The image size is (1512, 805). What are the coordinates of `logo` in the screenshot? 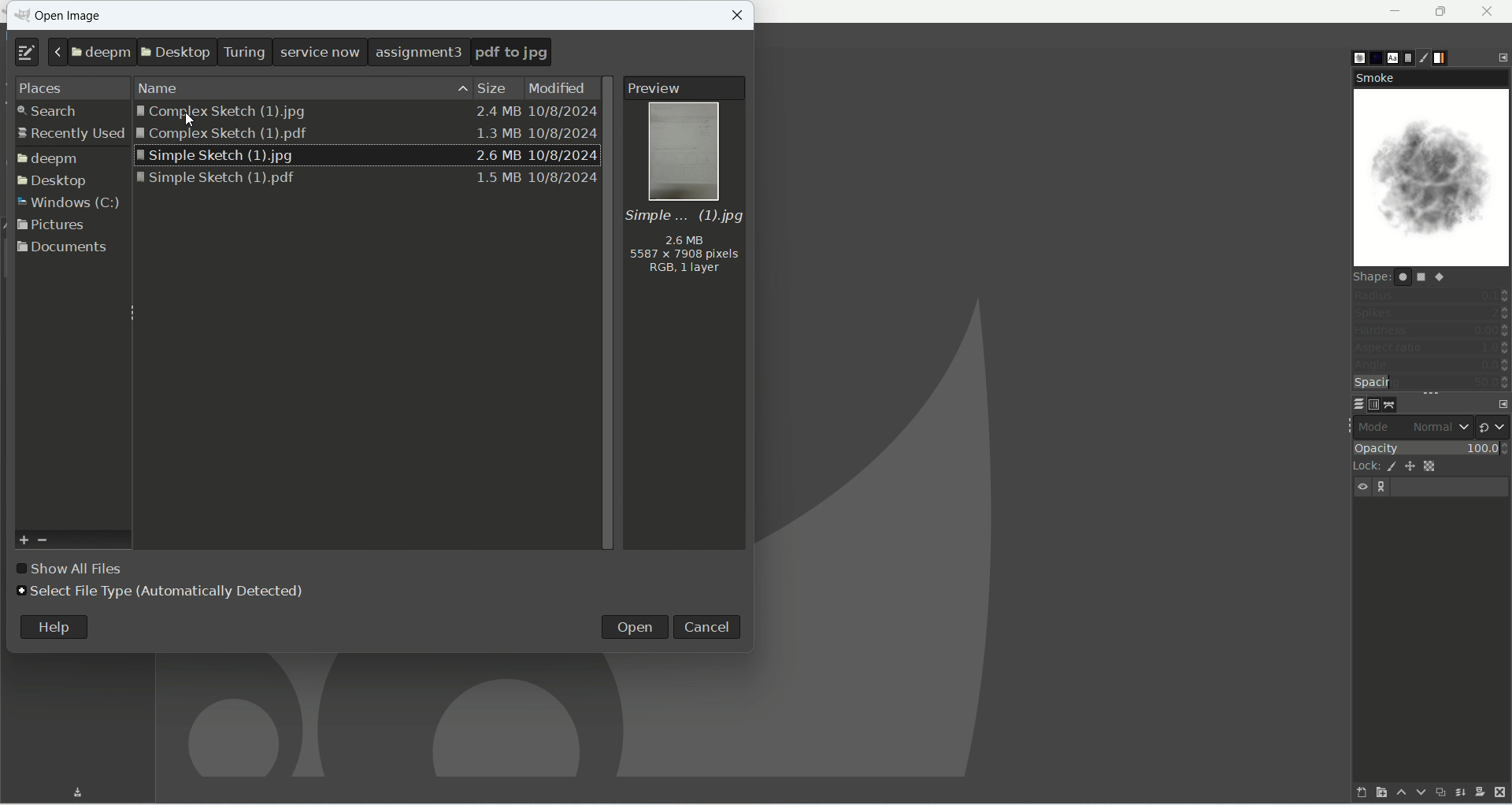 It's located at (20, 15).